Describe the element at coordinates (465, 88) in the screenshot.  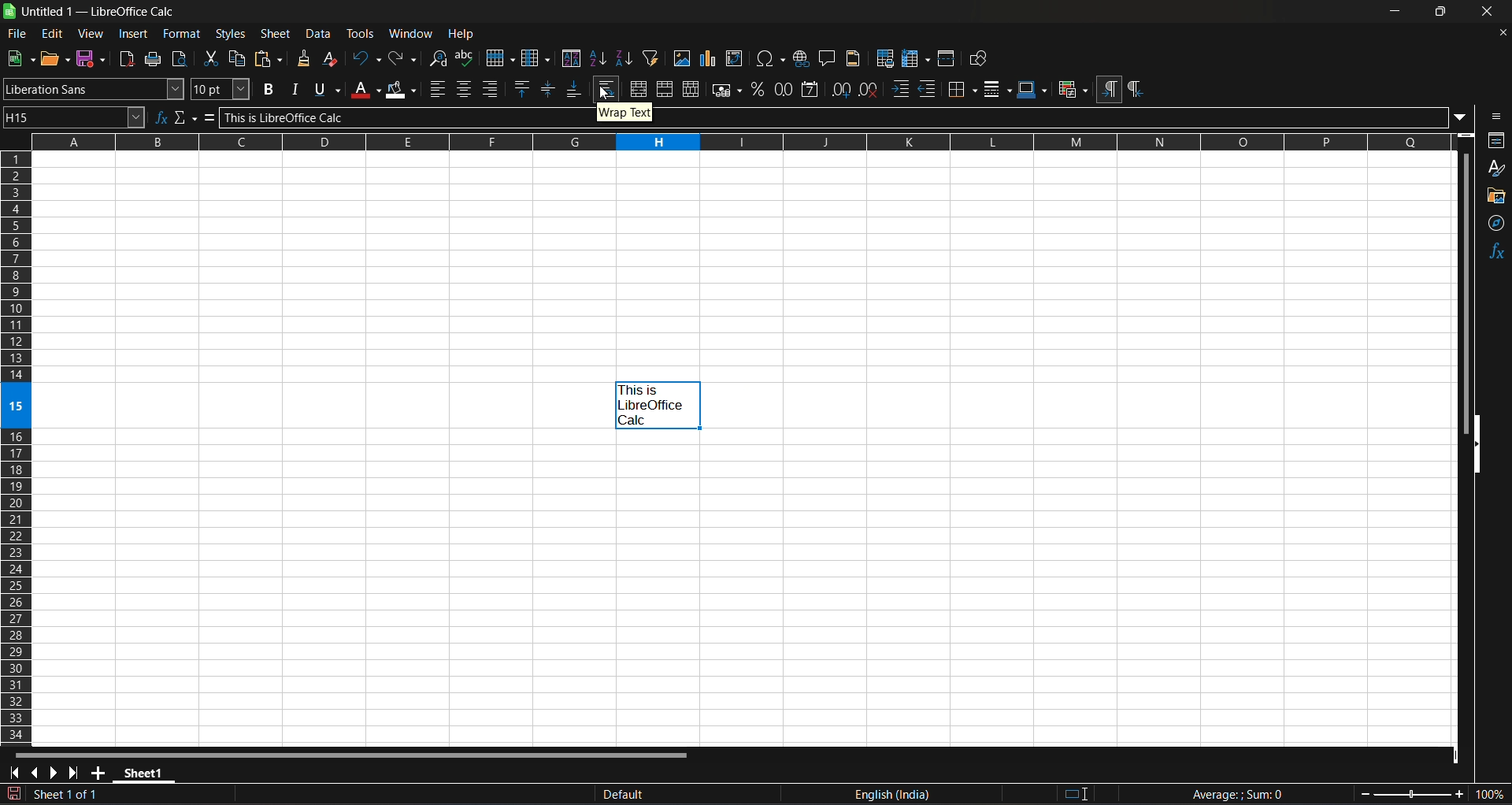
I see `align center` at that location.